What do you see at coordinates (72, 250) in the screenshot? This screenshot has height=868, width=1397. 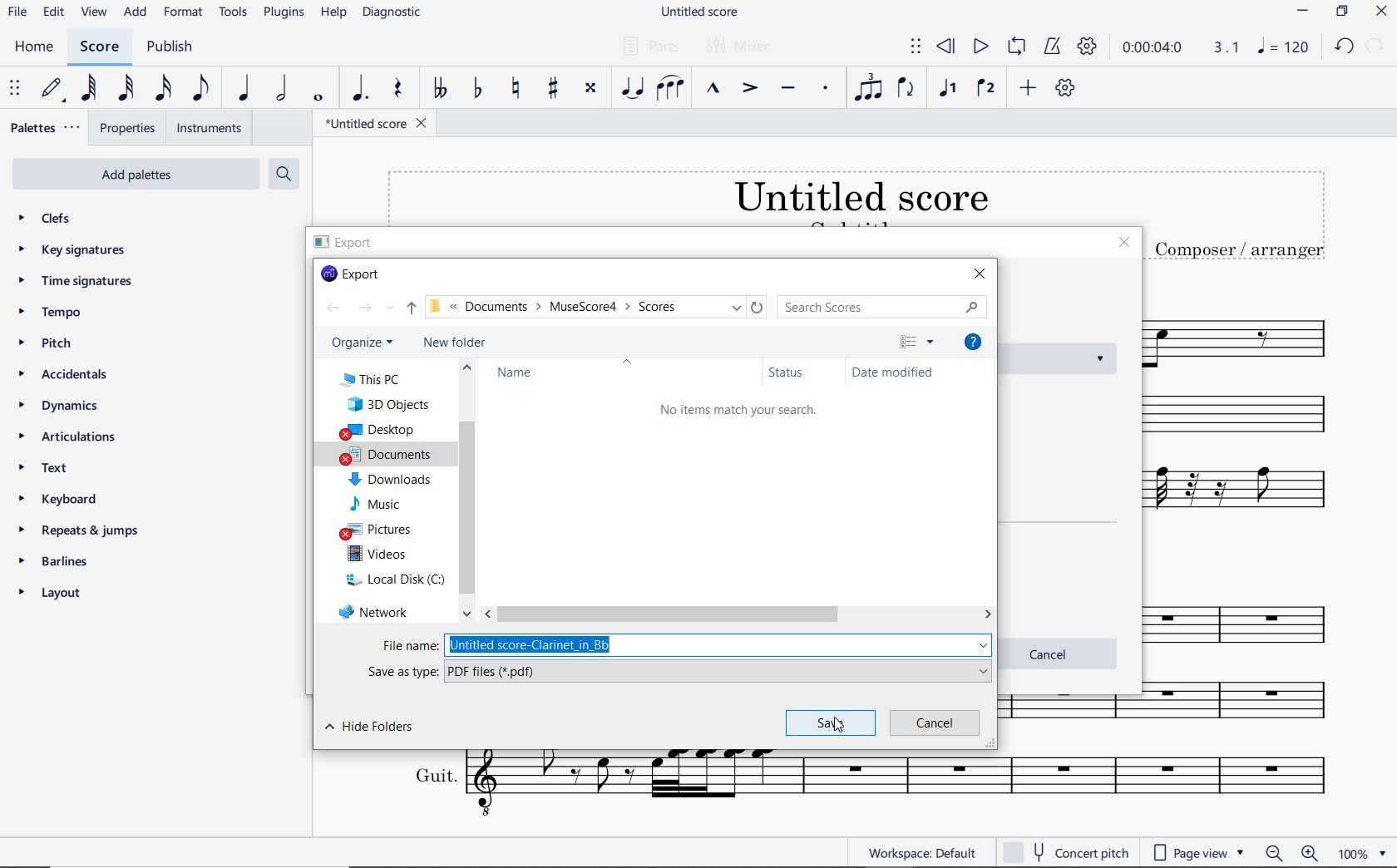 I see `key signatures` at bounding box center [72, 250].